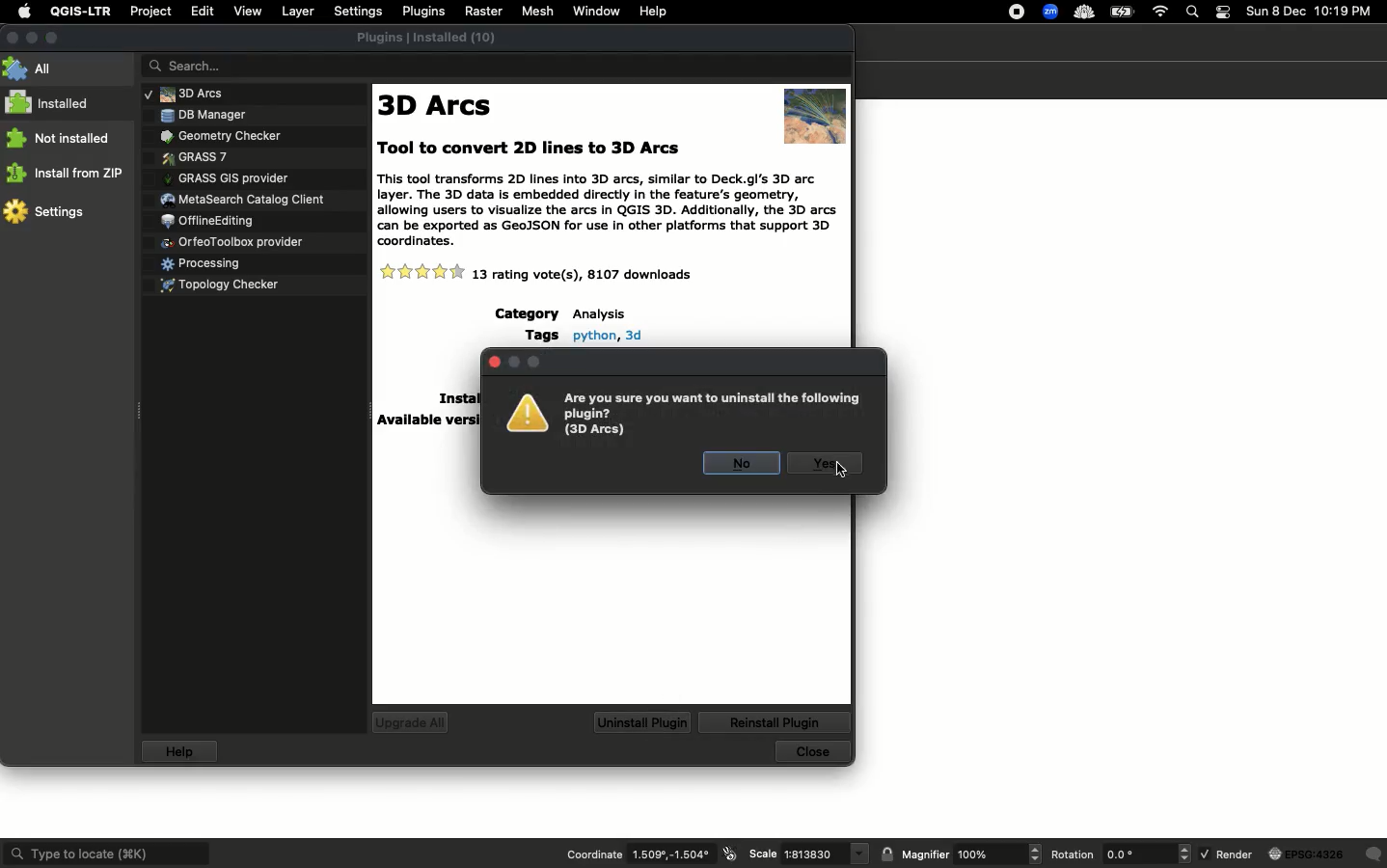  What do you see at coordinates (53, 37) in the screenshot?
I see `Maximize` at bounding box center [53, 37].